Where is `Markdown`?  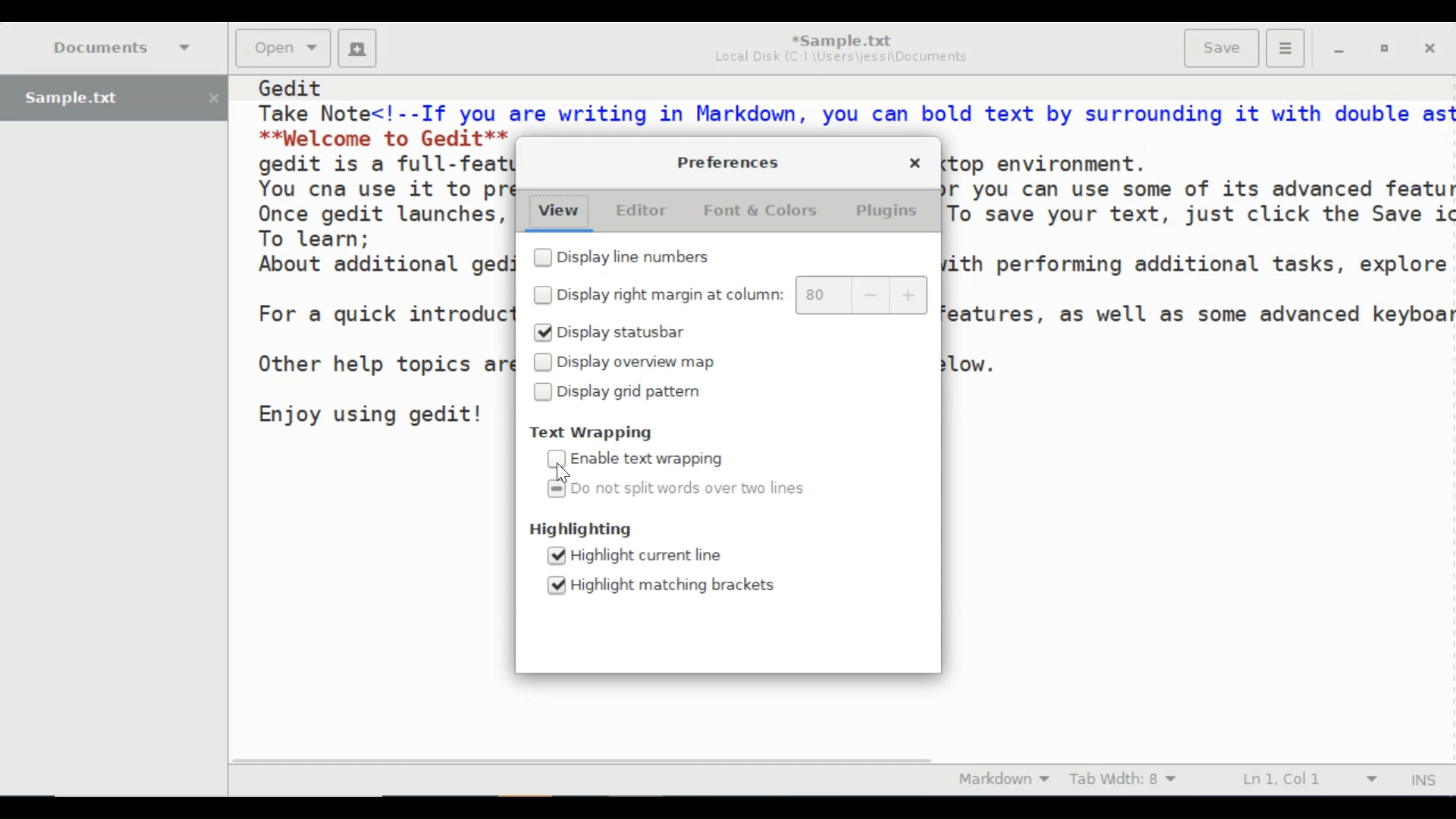 Markdown is located at coordinates (1005, 780).